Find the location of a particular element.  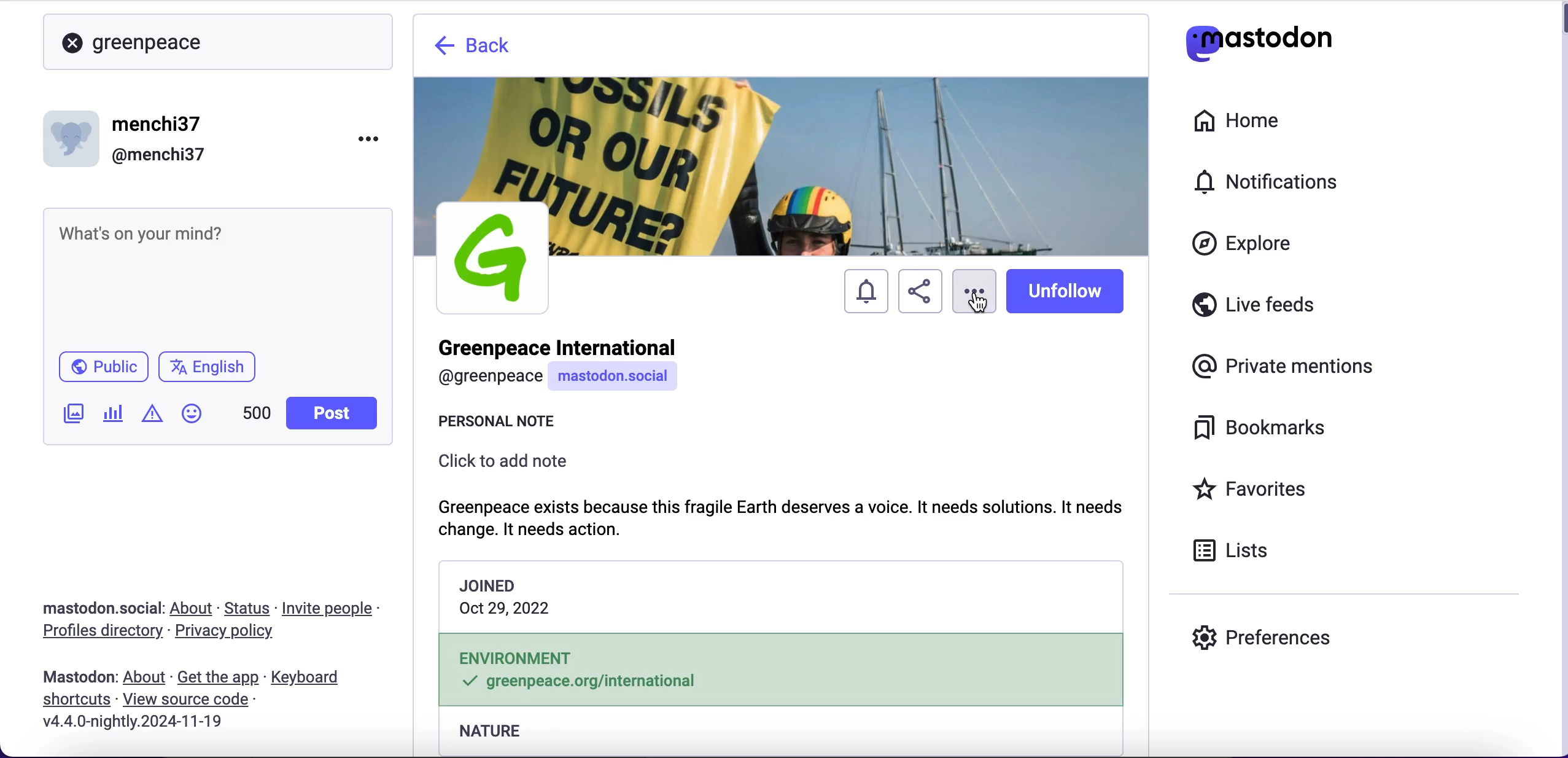

favorites is located at coordinates (1254, 491).